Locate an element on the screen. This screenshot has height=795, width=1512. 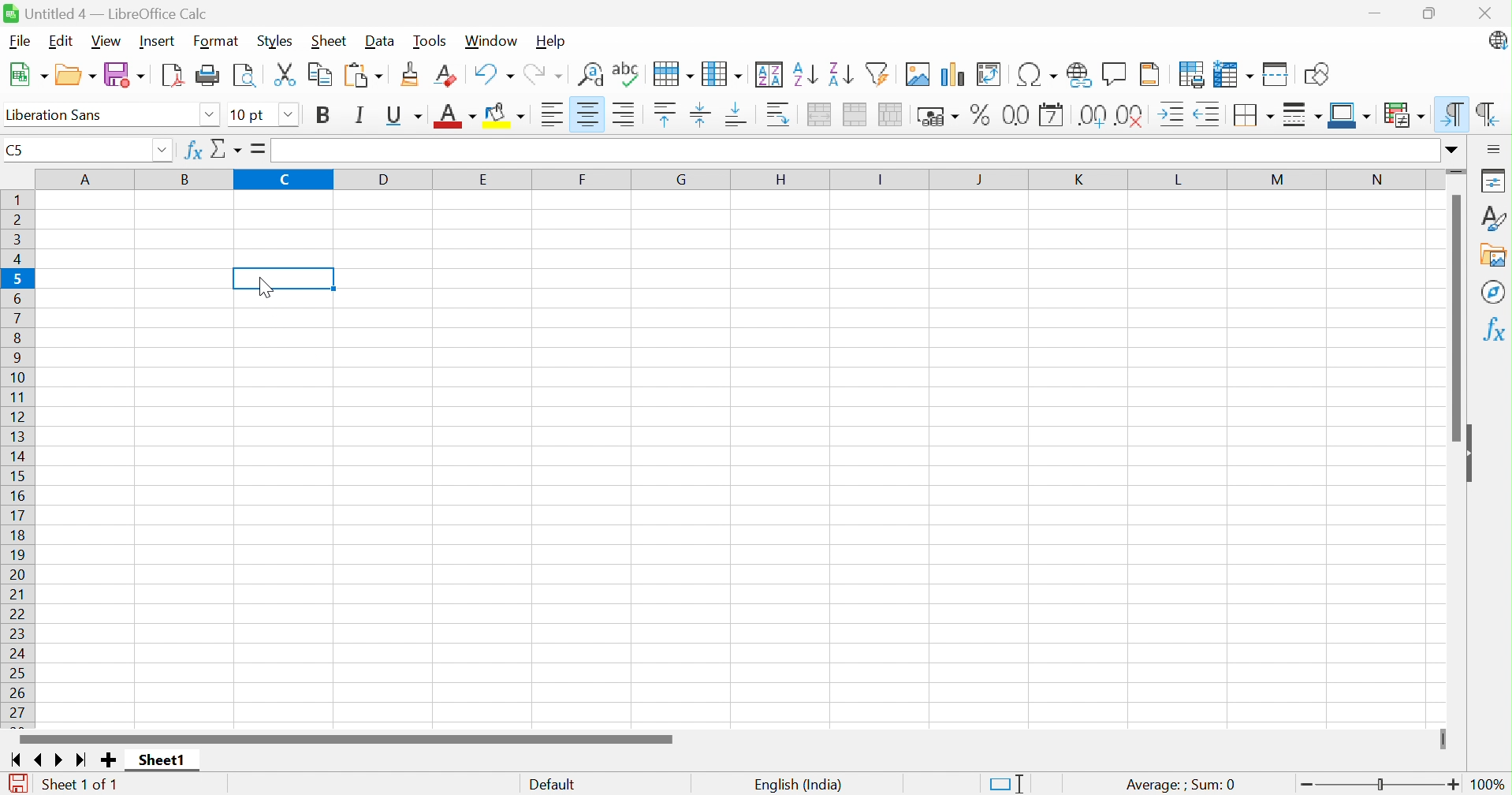
Properties is located at coordinates (1494, 180).